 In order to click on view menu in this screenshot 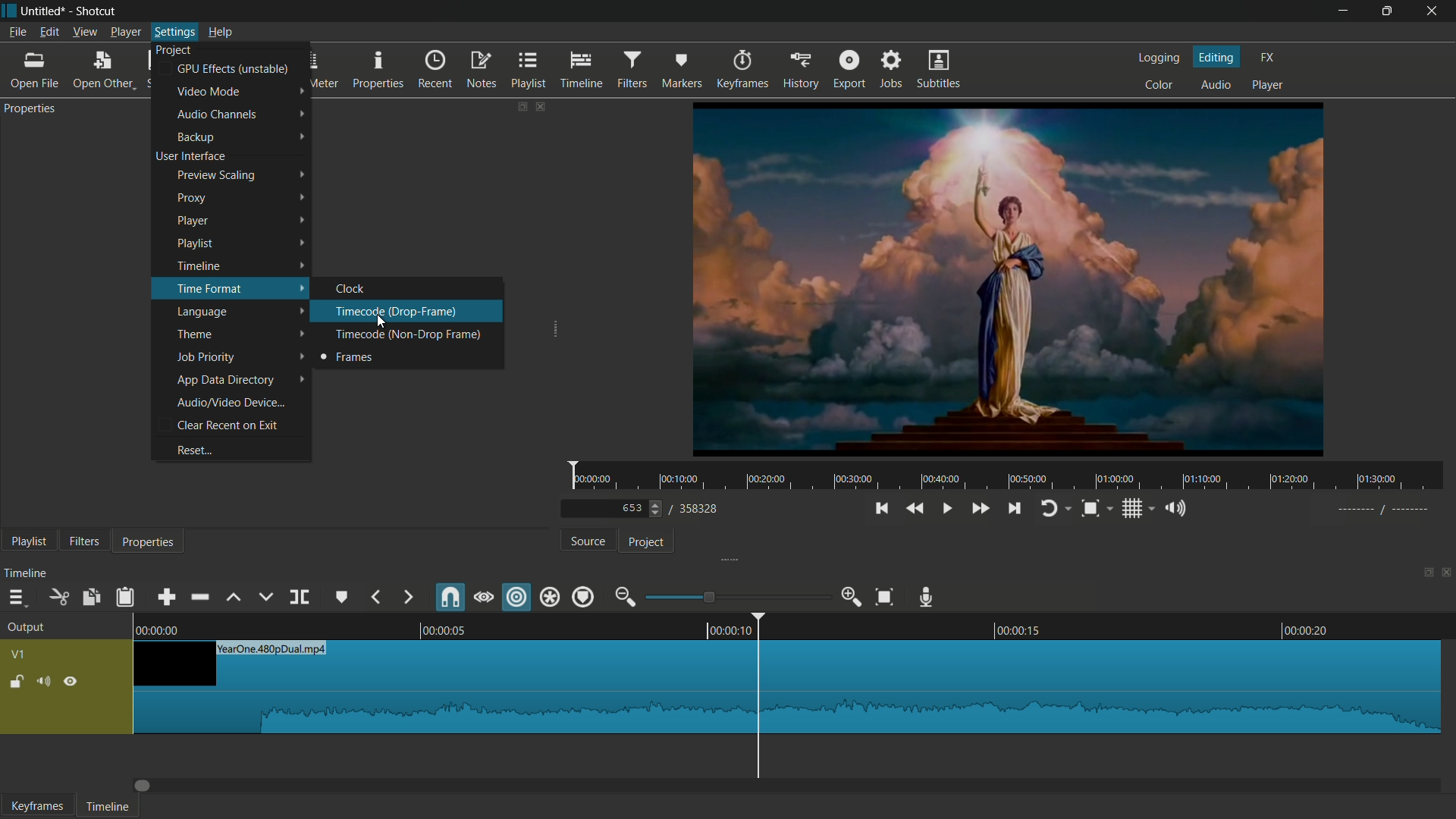, I will do `click(85, 33)`.